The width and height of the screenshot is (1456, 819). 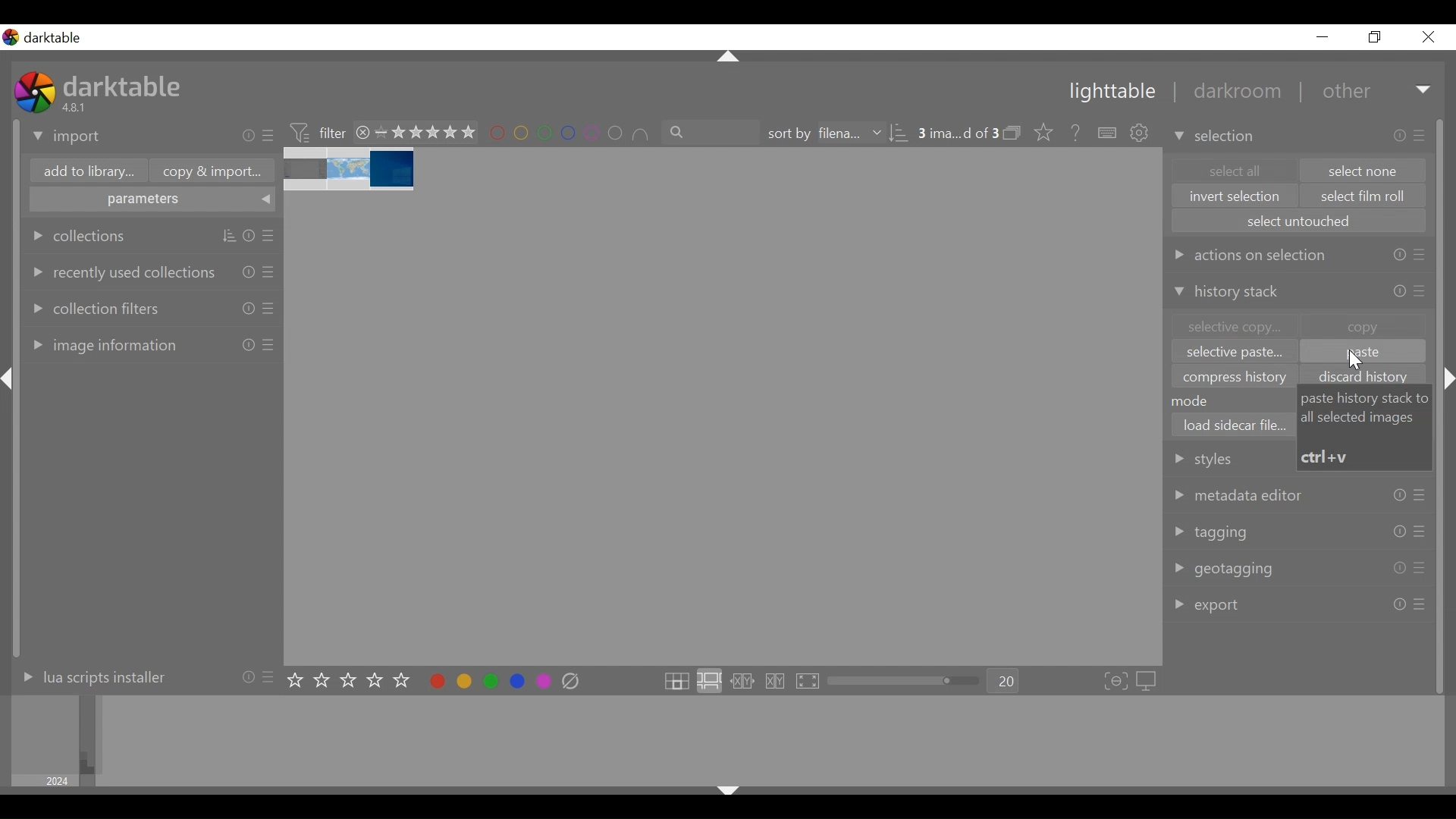 I want to click on load sidebar file, so click(x=1234, y=425).